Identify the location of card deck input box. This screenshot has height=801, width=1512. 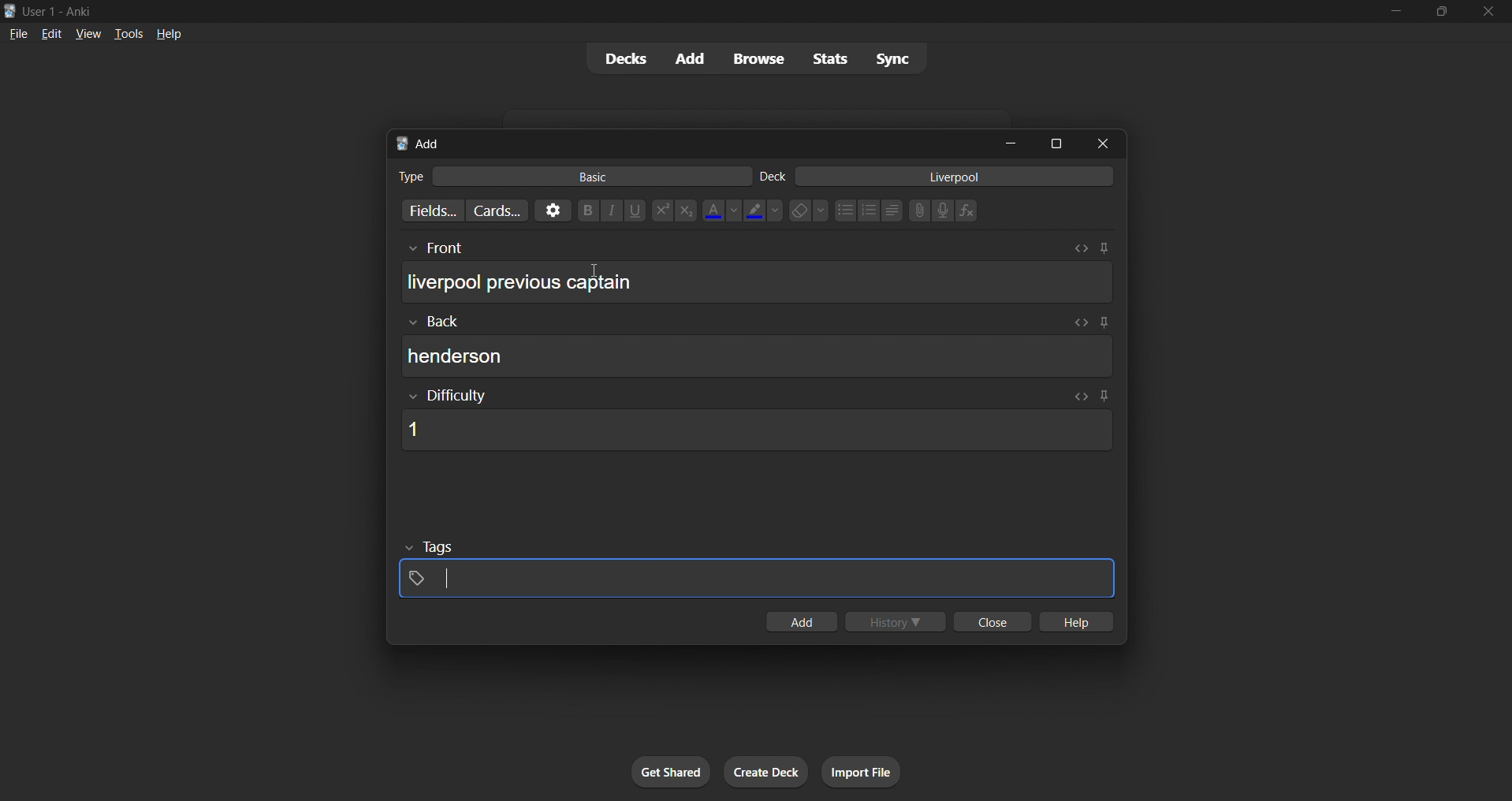
(940, 179).